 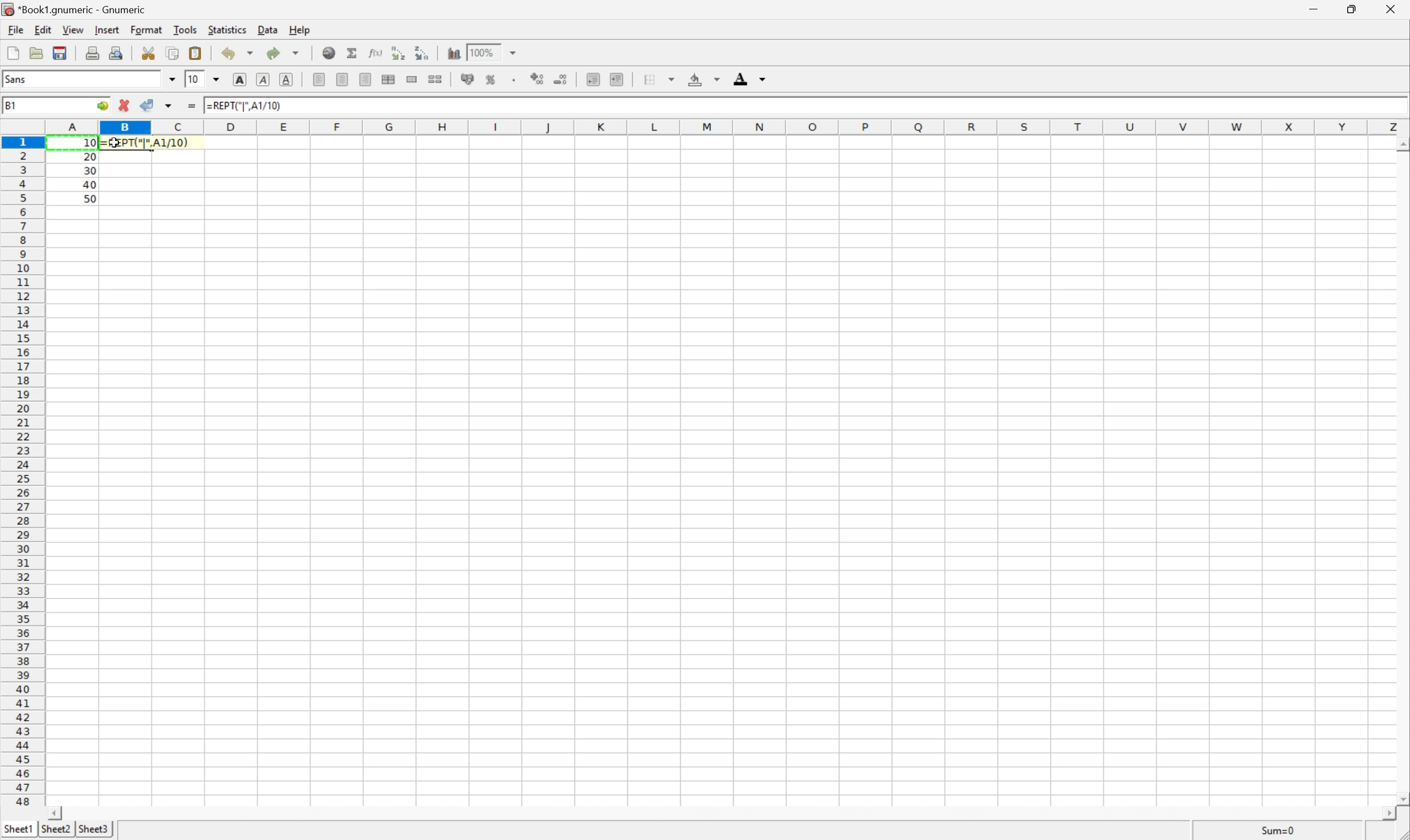 What do you see at coordinates (399, 52) in the screenshot?
I see `Sort the selected region in ascending order based on the first column selected` at bounding box center [399, 52].